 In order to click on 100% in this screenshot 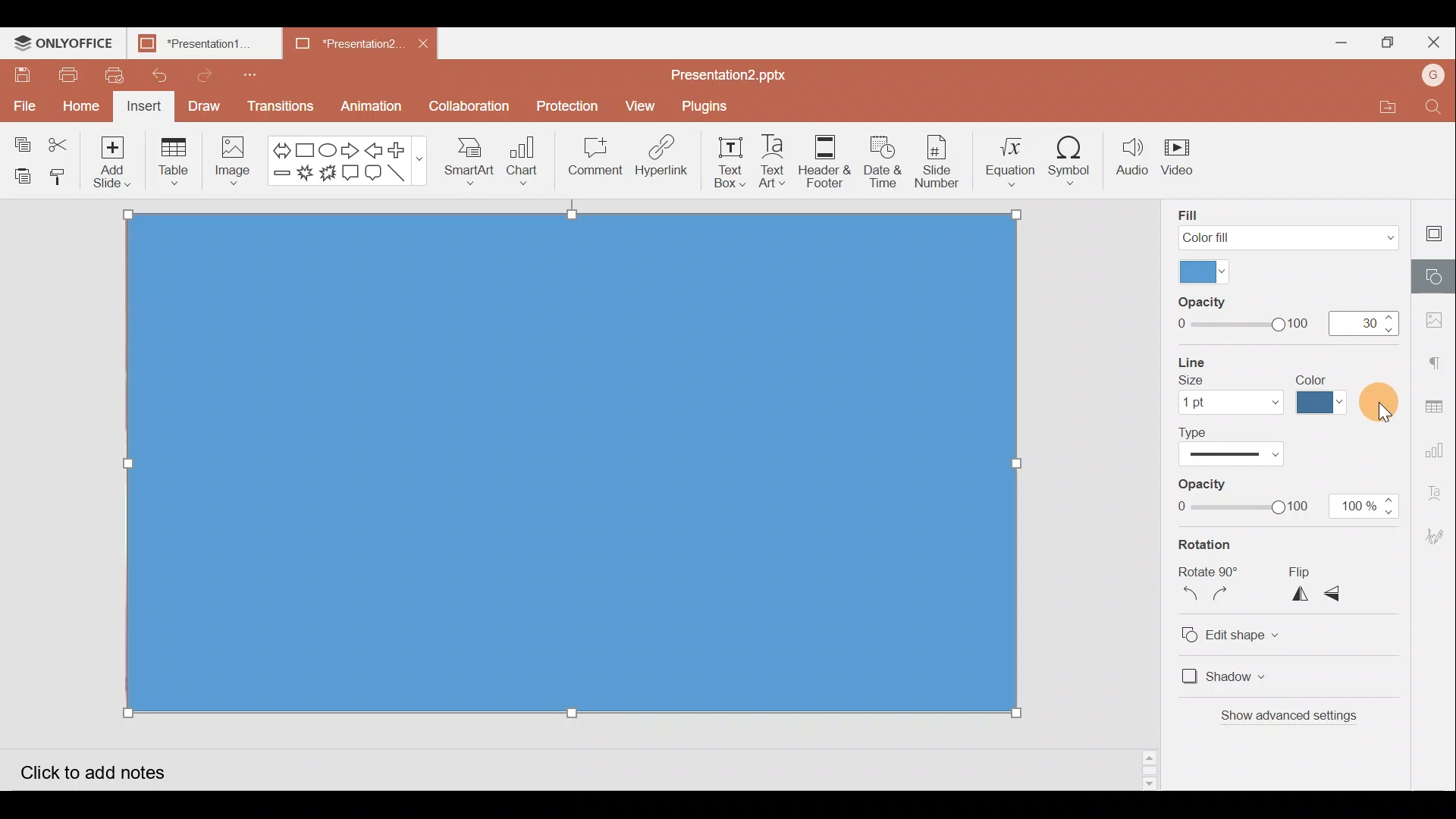, I will do `click(1365, 508)`.